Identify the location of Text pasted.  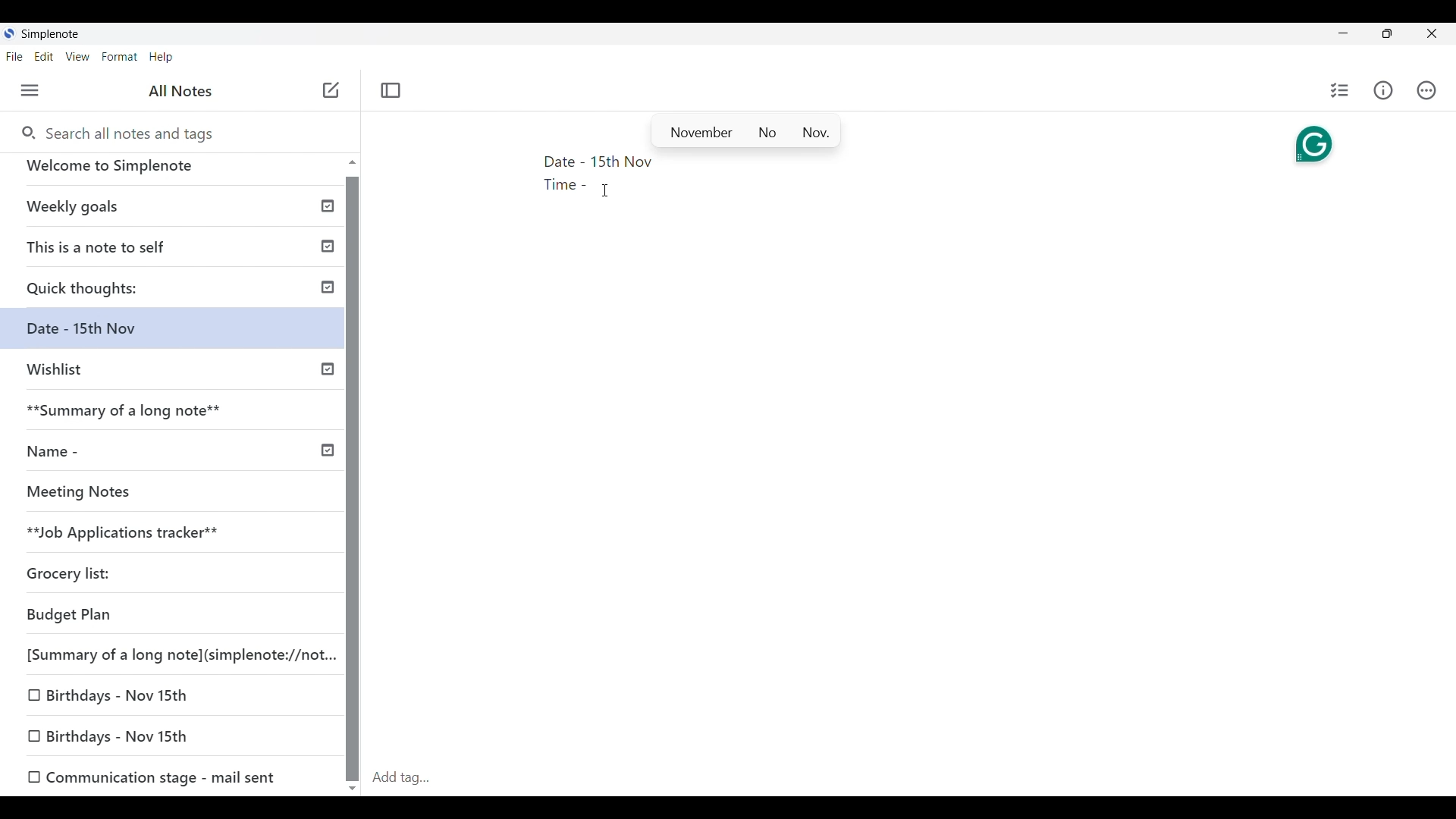
(563, 174).